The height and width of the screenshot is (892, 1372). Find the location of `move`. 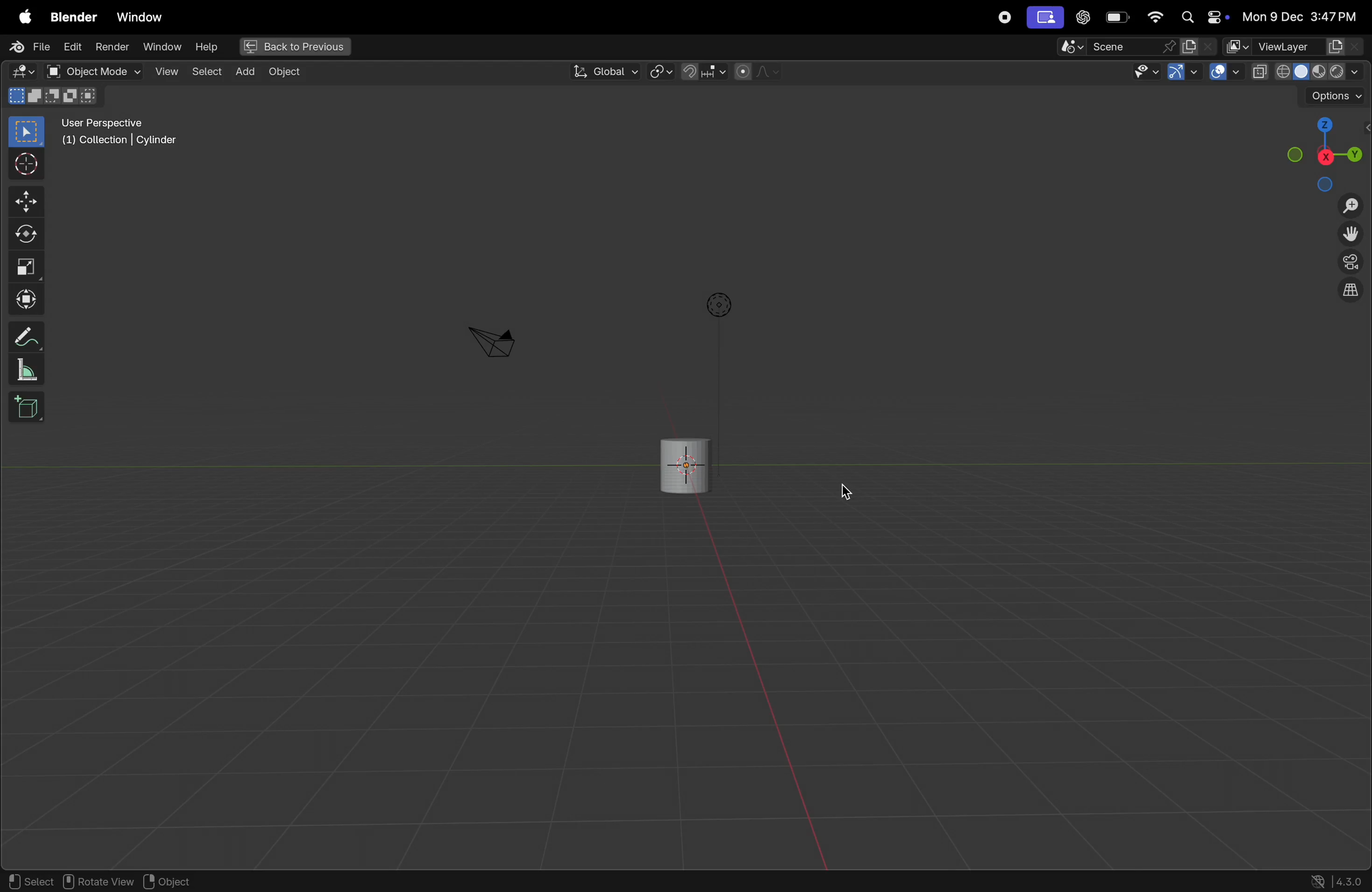

move is located at coordinates (24, 202).